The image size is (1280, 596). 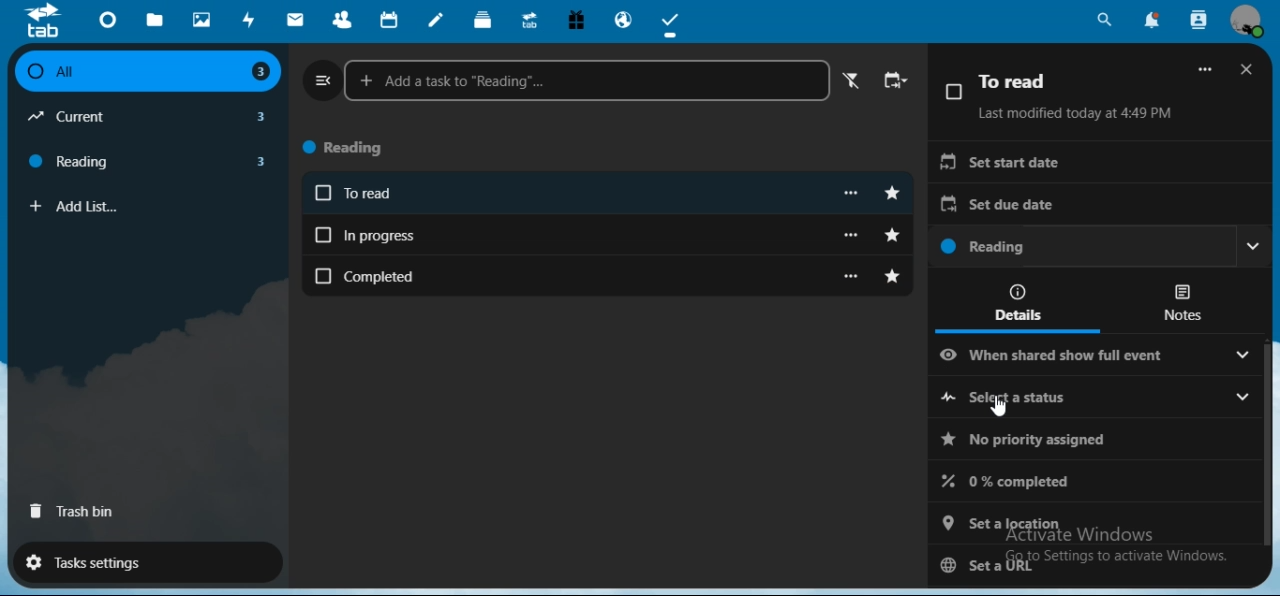 What do you see at coordinates (896, 276) in the screenshot?
I see `toggle starred` at bounding box center [896, 276].